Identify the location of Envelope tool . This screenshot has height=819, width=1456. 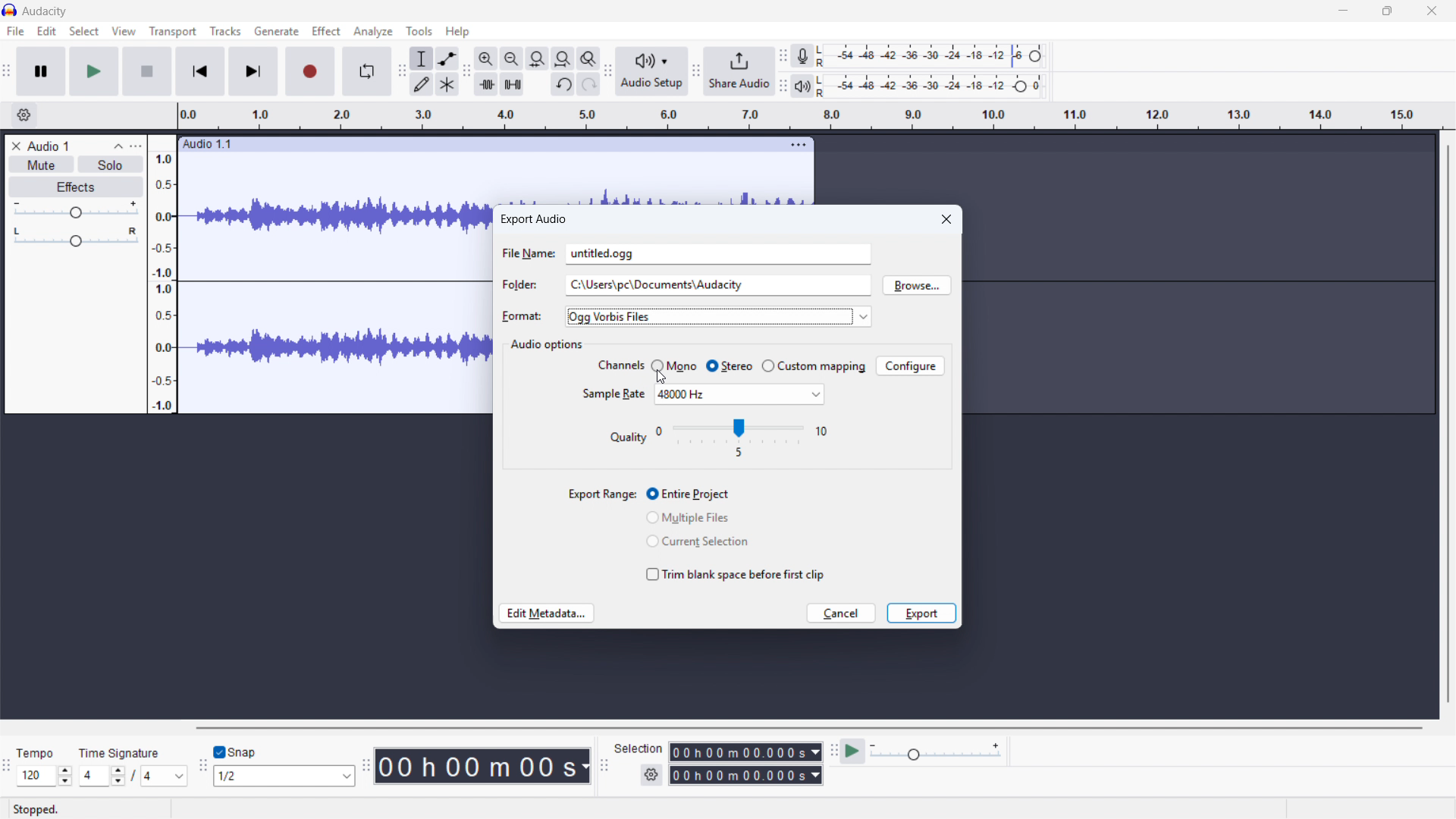
(447, 58).